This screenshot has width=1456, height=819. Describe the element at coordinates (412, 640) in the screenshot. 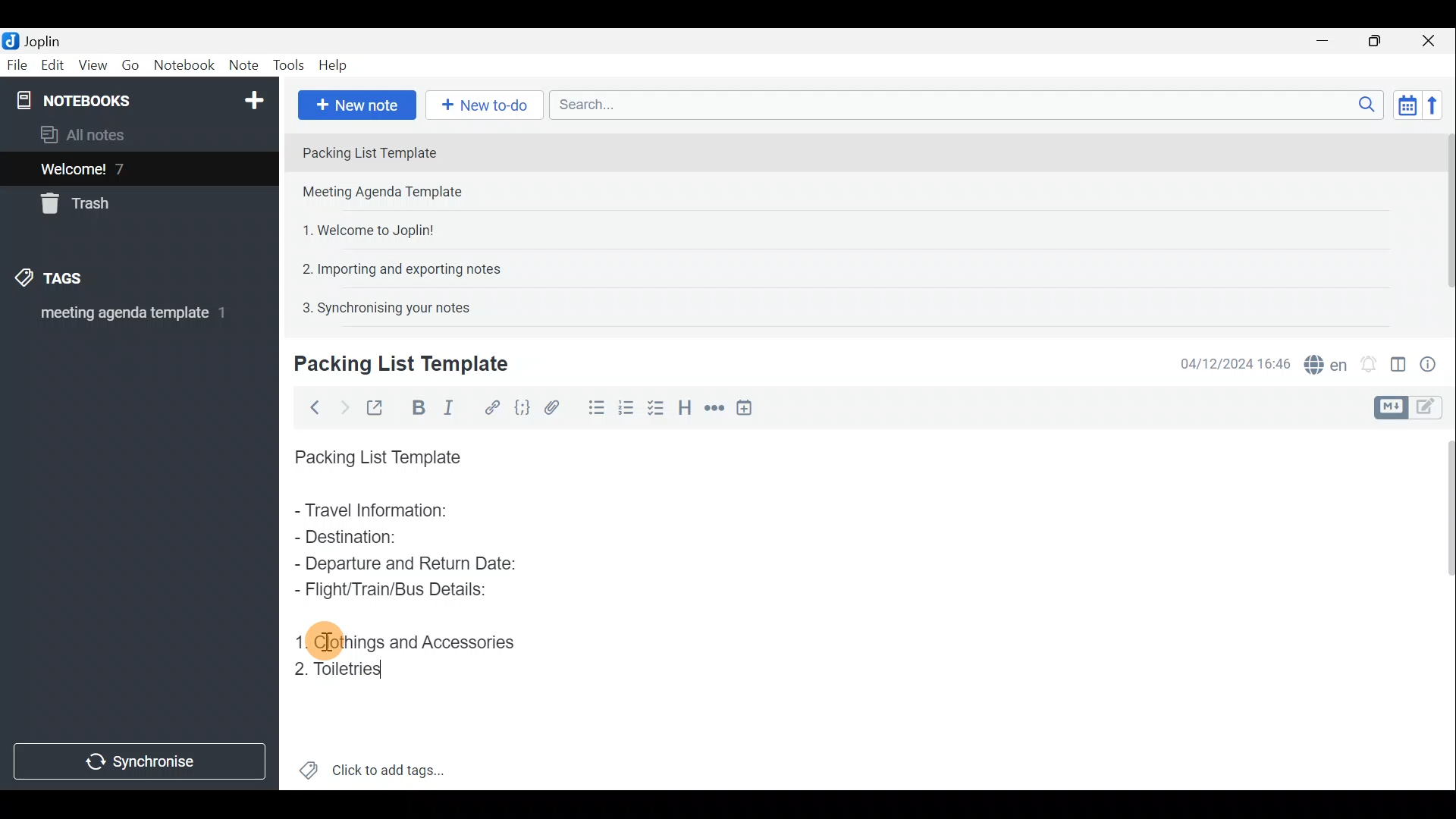

I see `Clothings and Accessories` at that location.